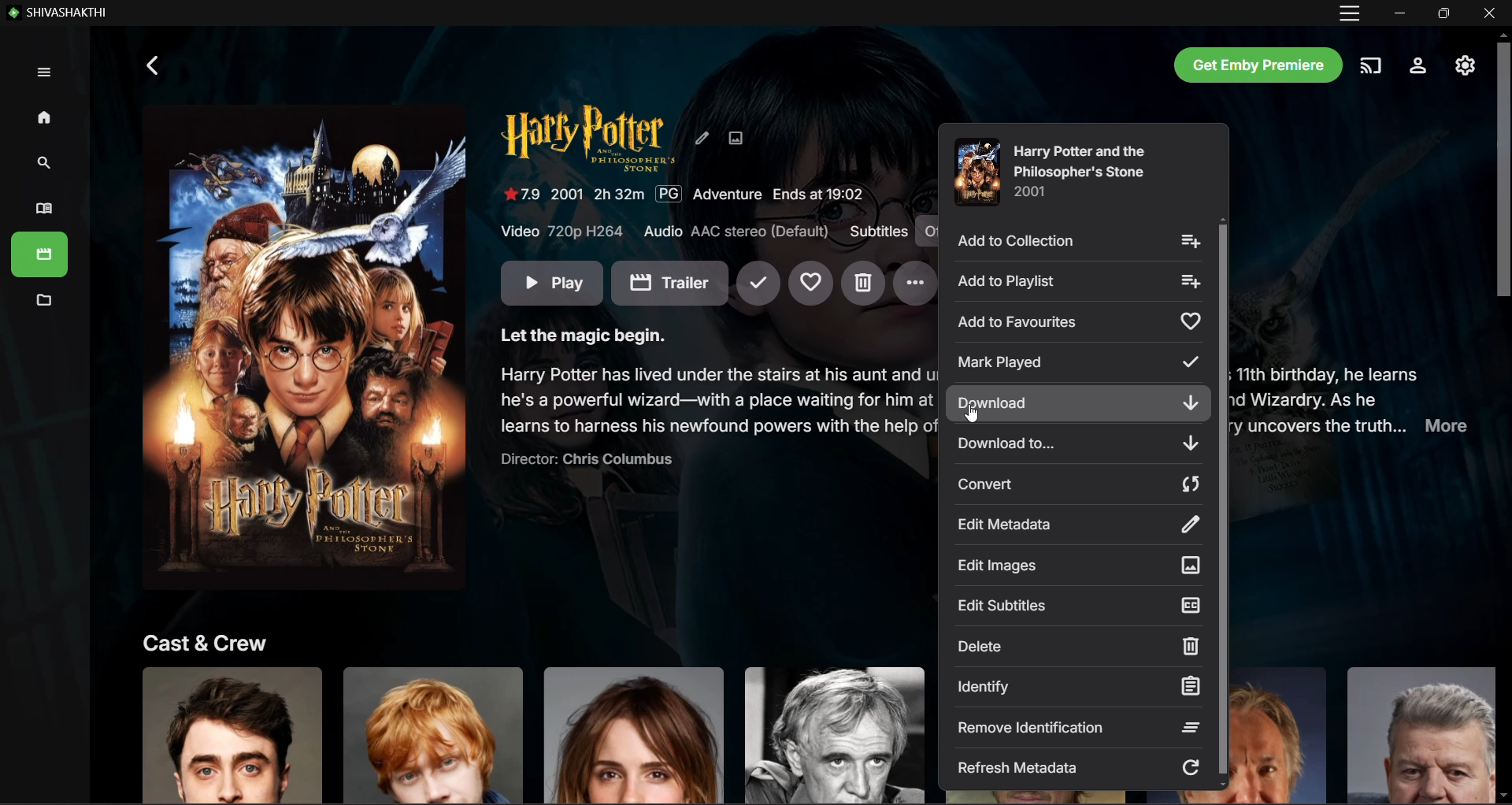 This screenshot has width=1512, height=805. What do you see at coordinates (1062, 171) in the screenshot?
I see `Movie Title` at bounding box center [1062, 171].